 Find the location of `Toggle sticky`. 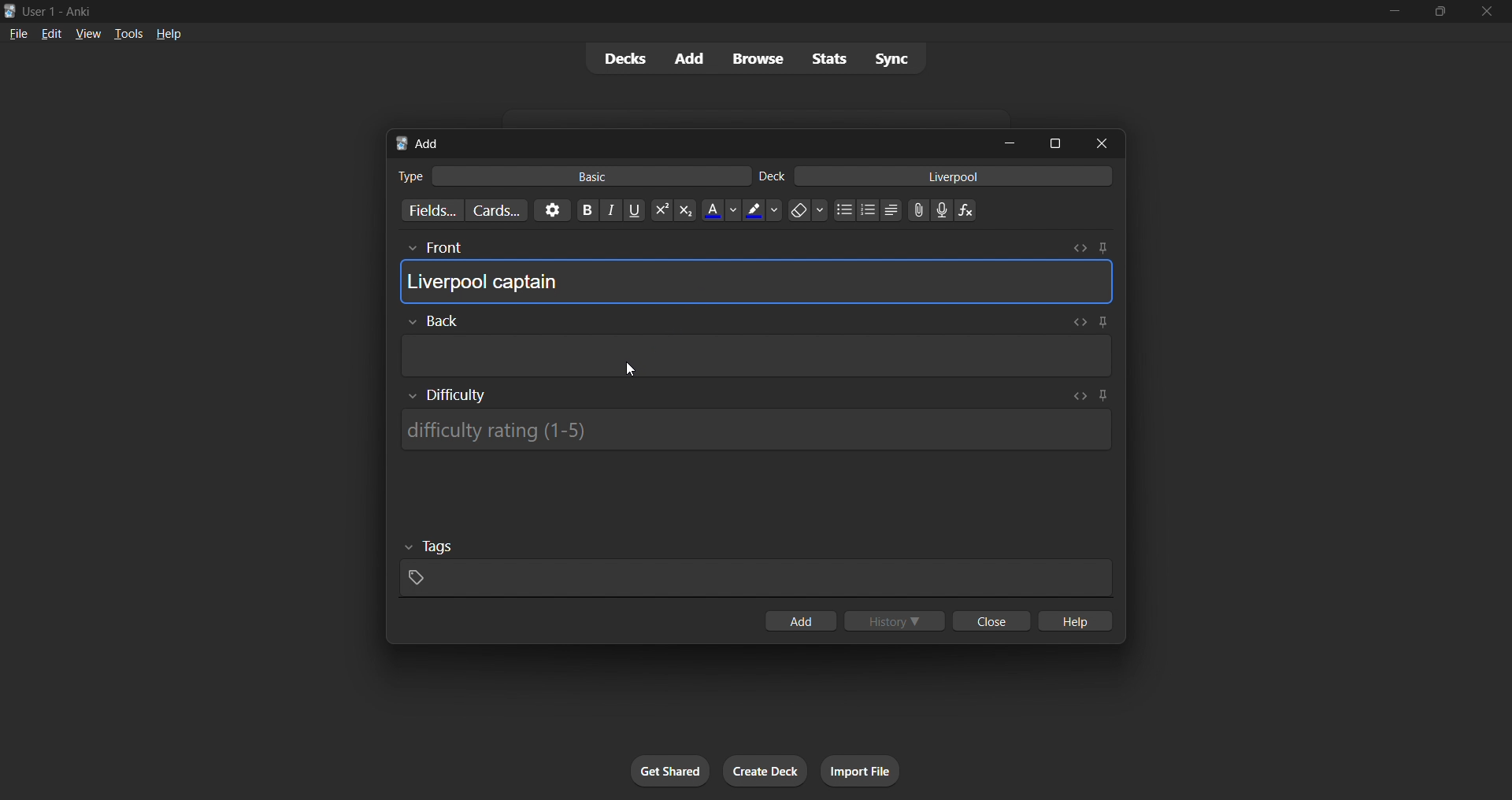

Toggle sticky is located at coordinates (1102, 248).